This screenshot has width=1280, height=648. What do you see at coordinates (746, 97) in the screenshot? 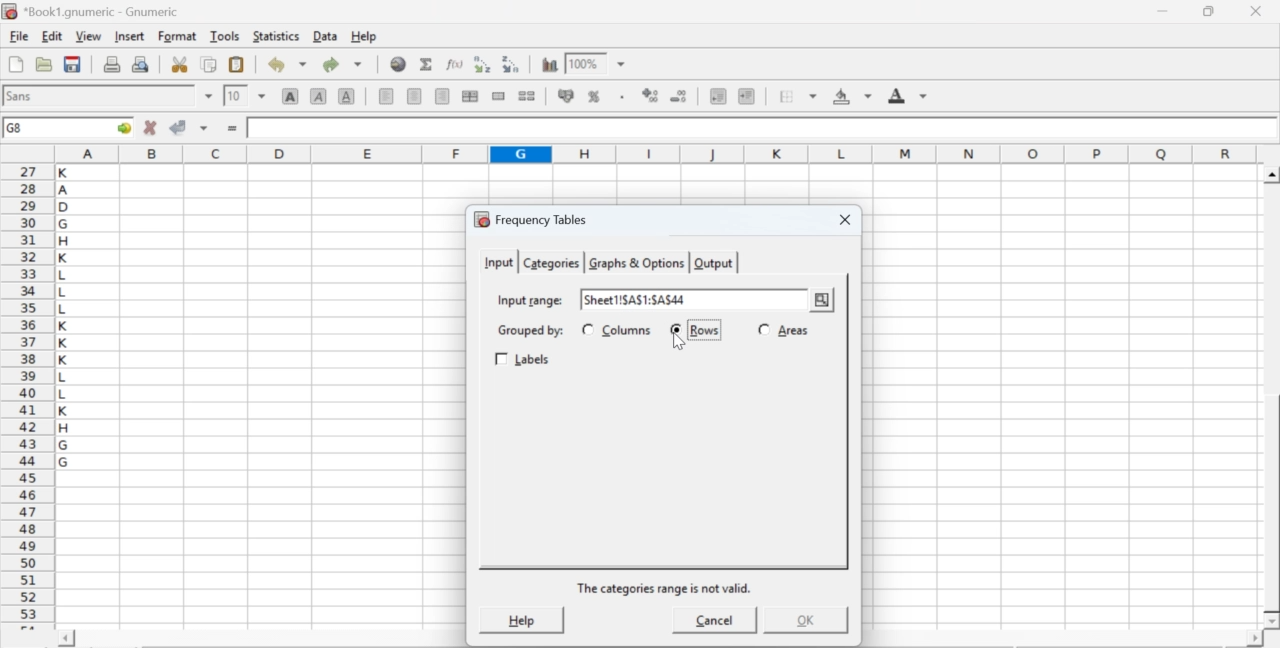
I see `increase indent` at bounding box center [746, 97].